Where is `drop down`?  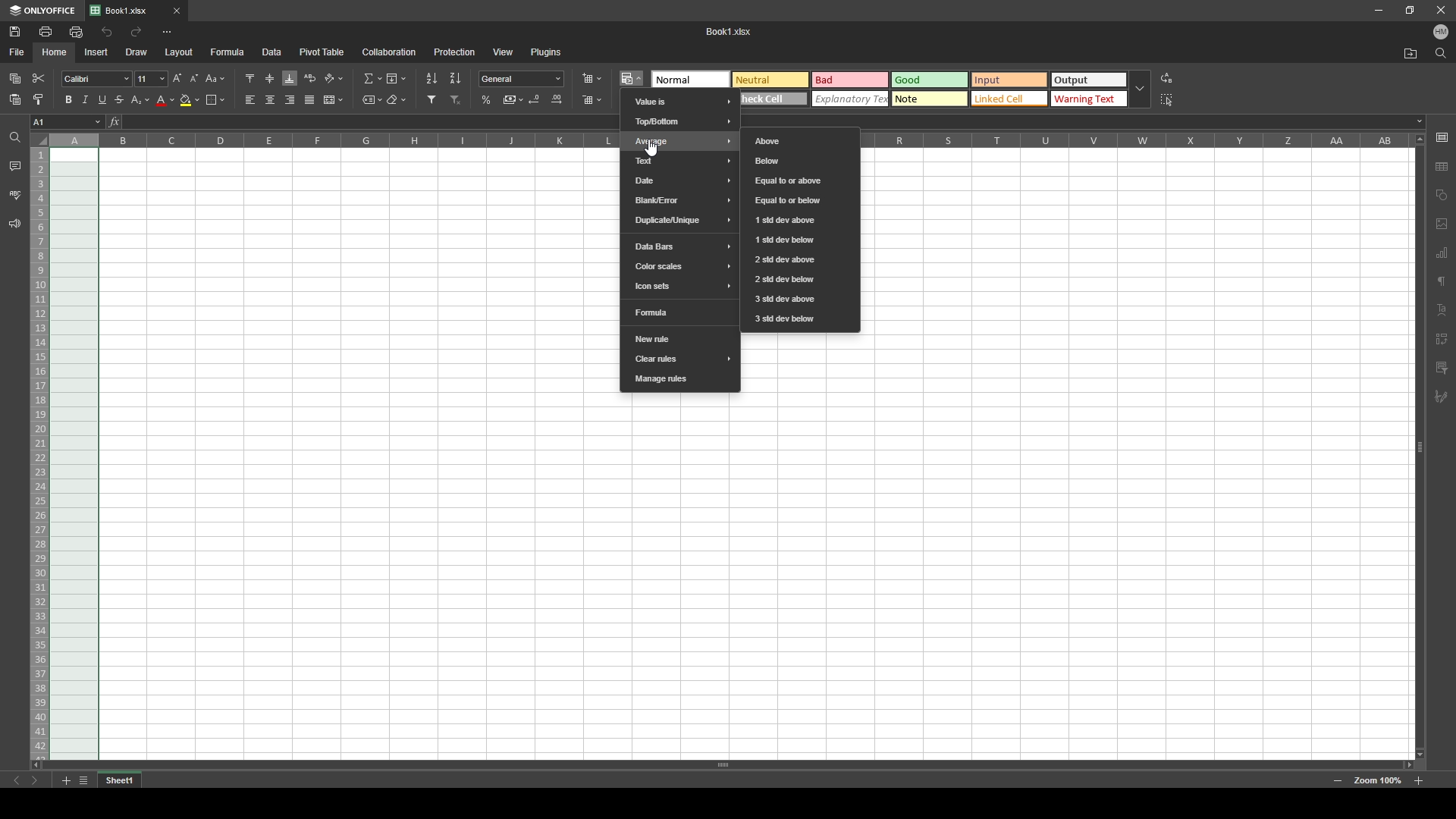
drop down is located at coordinates (1141, 90).